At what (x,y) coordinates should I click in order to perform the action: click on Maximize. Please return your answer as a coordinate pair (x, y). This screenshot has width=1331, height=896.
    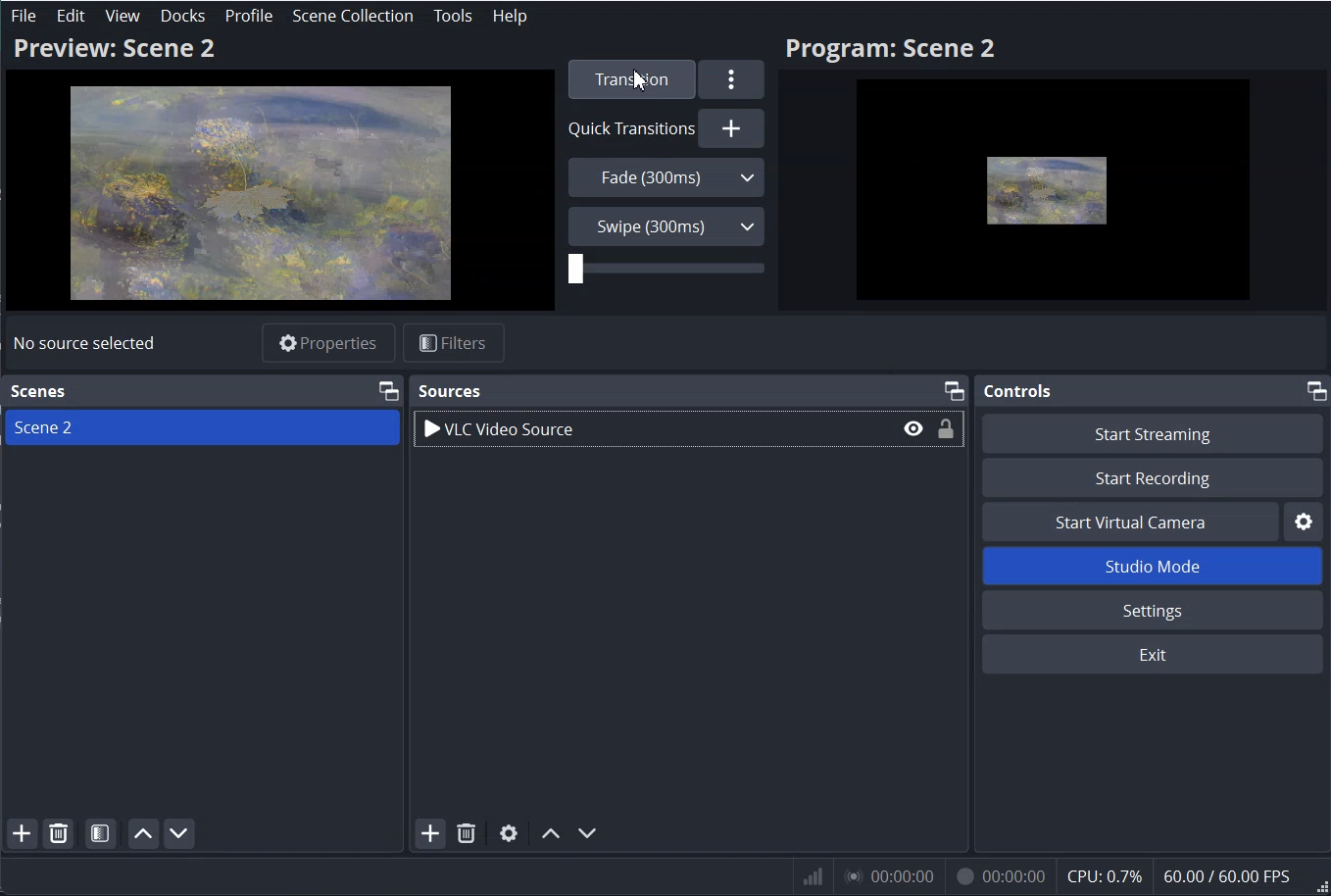
    Looking at the image, I should click on (388, 389).